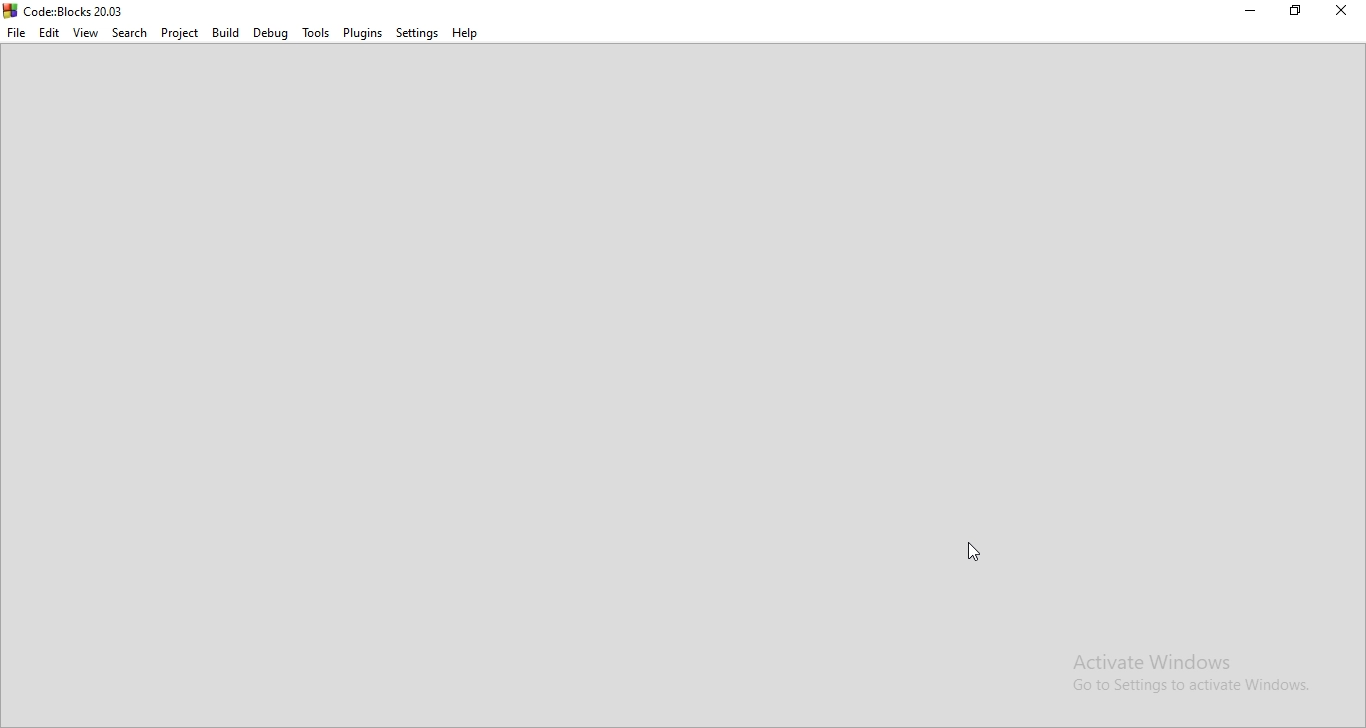 This screenshot has height=728, width=1366. What do you see at coordinates (1248, 12) in the screenshot?
I see `Minimise` at bounding box center [1248, 12].